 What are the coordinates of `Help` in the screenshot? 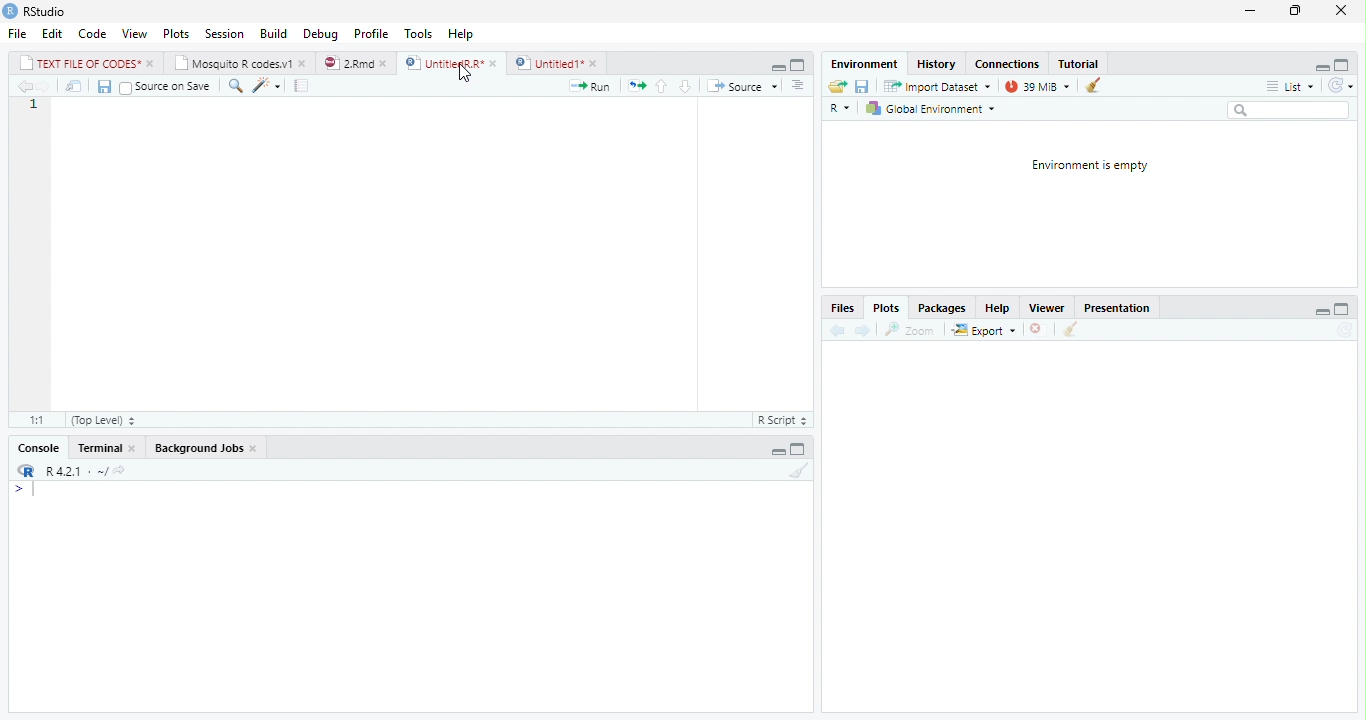 It's located at (463, 36).